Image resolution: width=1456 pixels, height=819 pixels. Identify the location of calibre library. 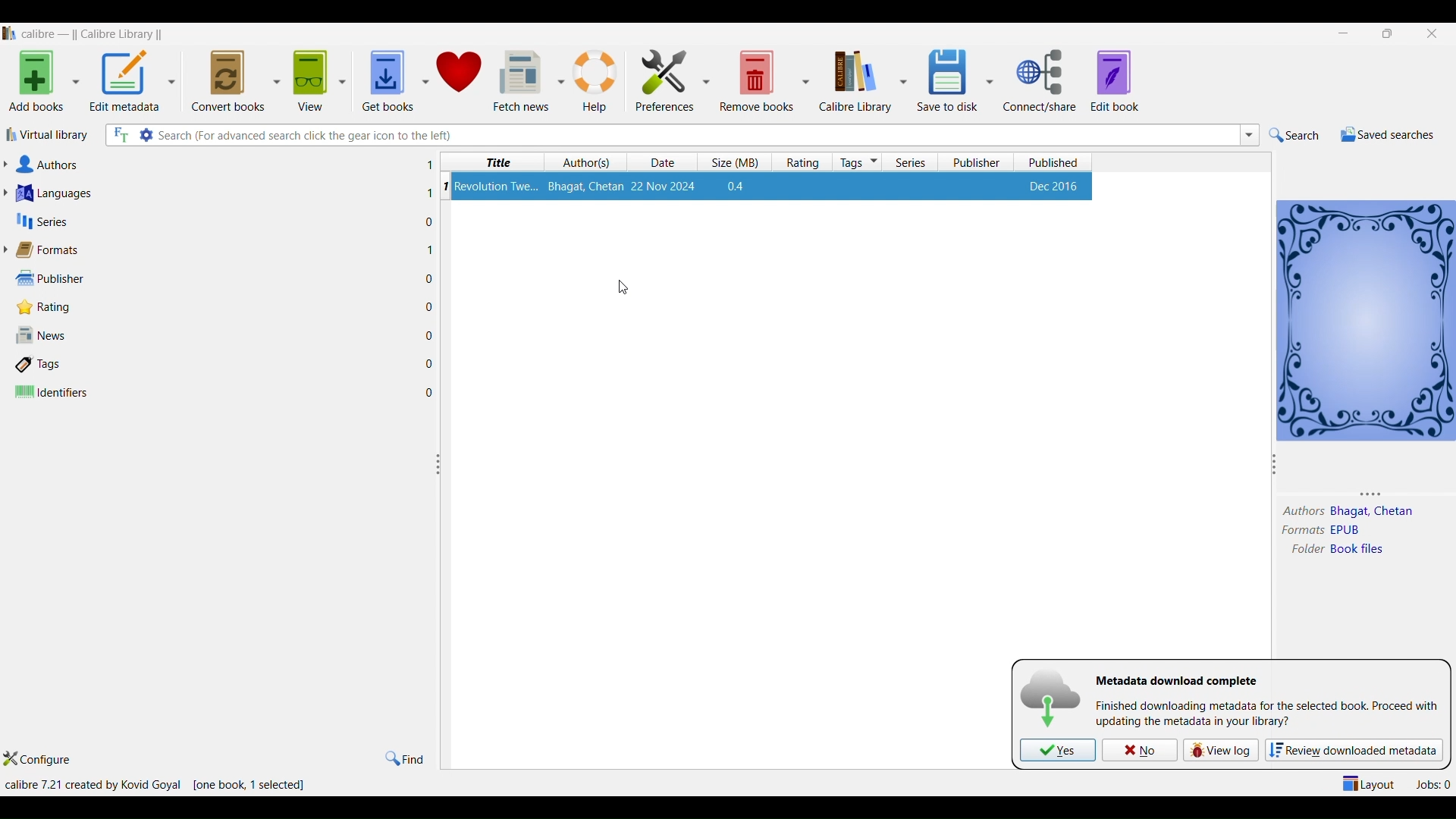
(855, 80).